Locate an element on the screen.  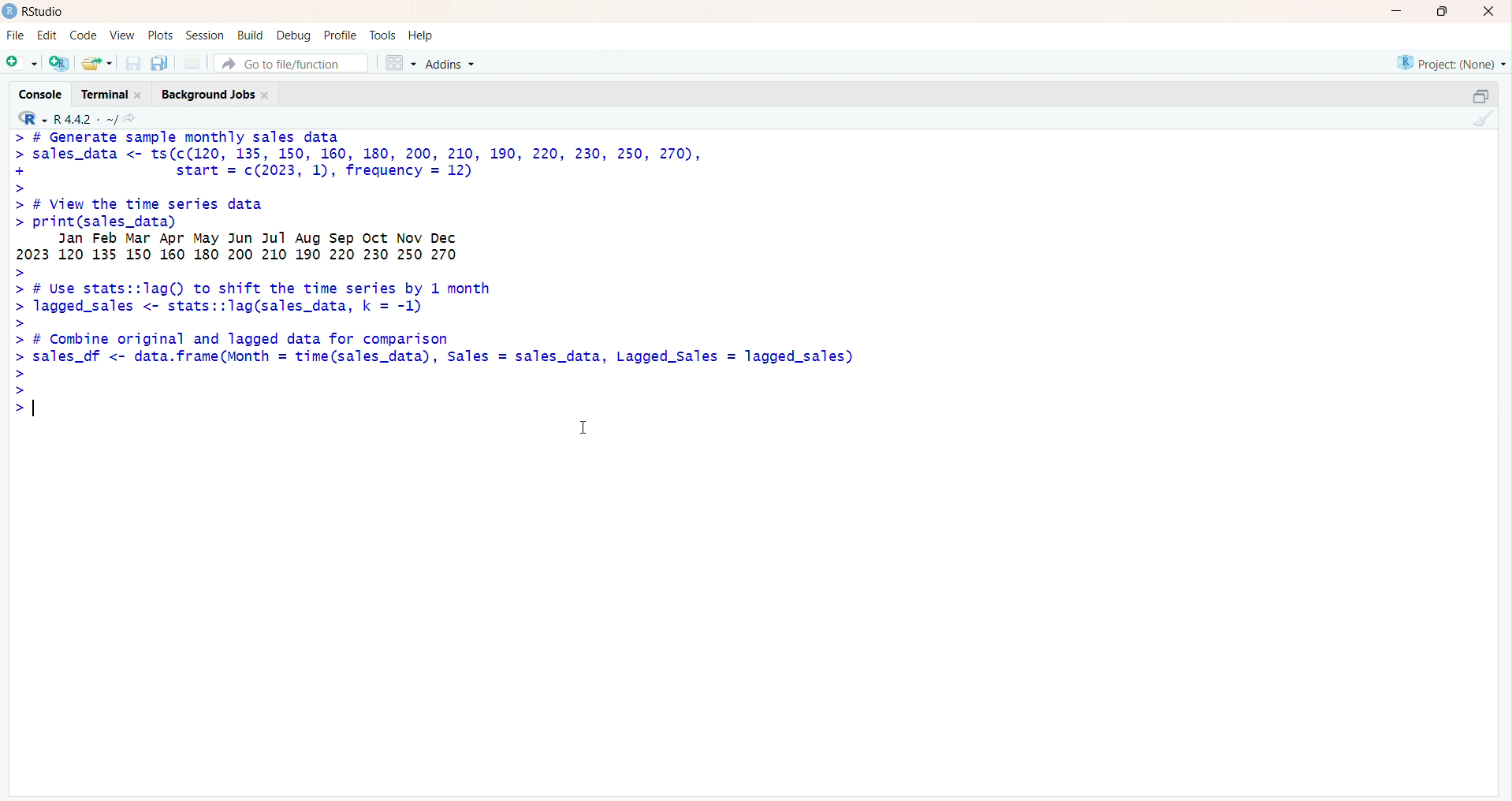
edit is located at coordinates (47, 35).